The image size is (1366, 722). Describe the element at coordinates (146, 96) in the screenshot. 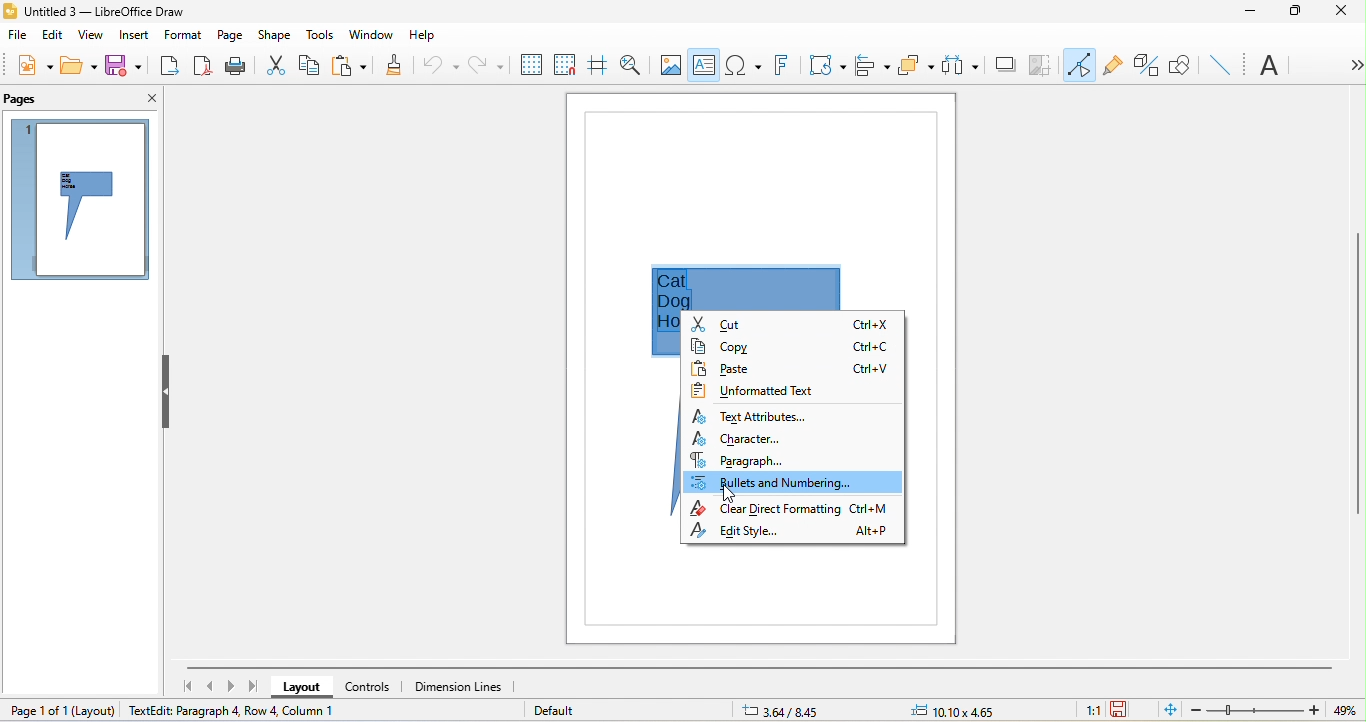

I see `close` at that location.